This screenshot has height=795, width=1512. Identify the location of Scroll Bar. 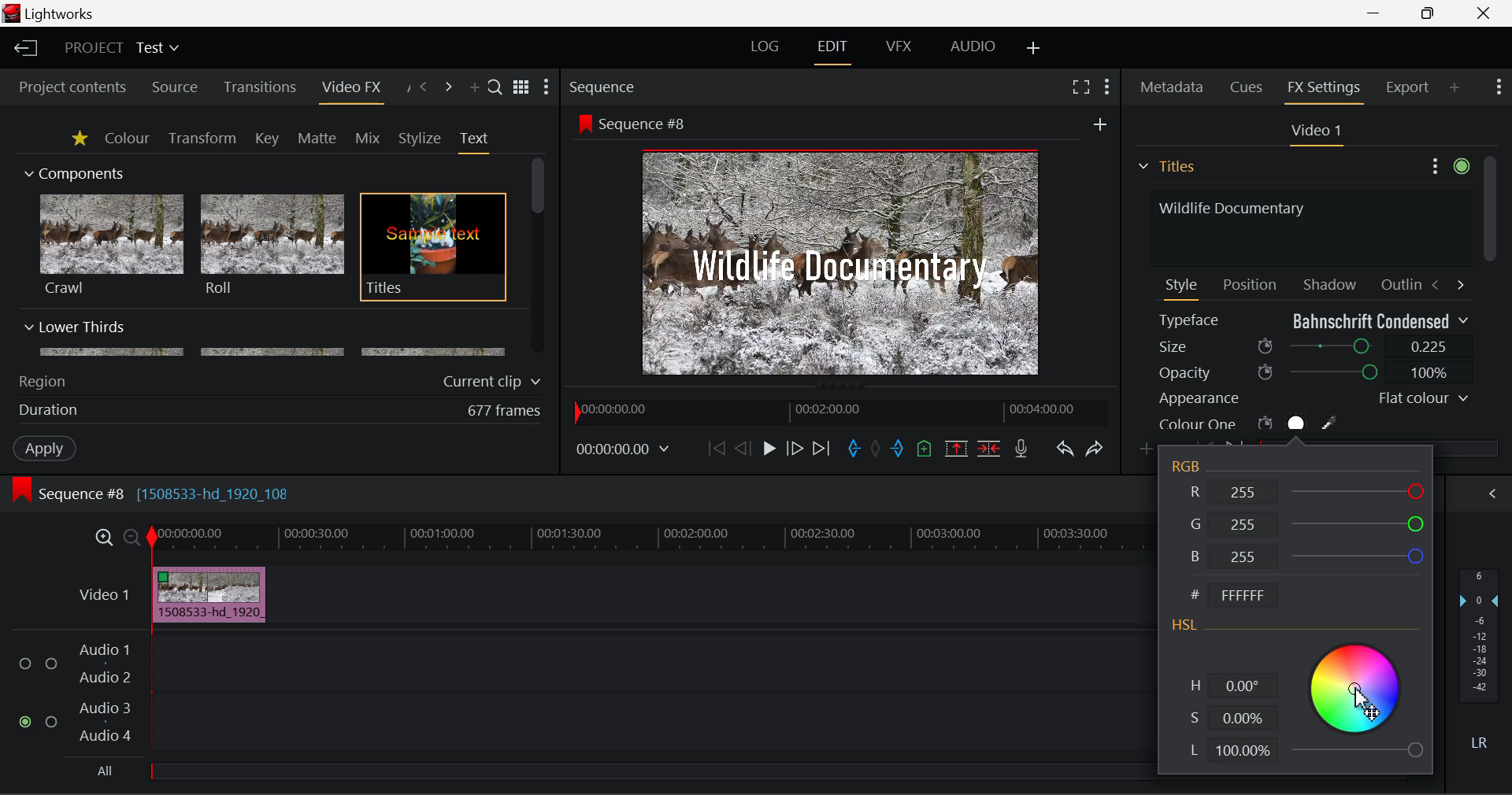
(1489, 294).